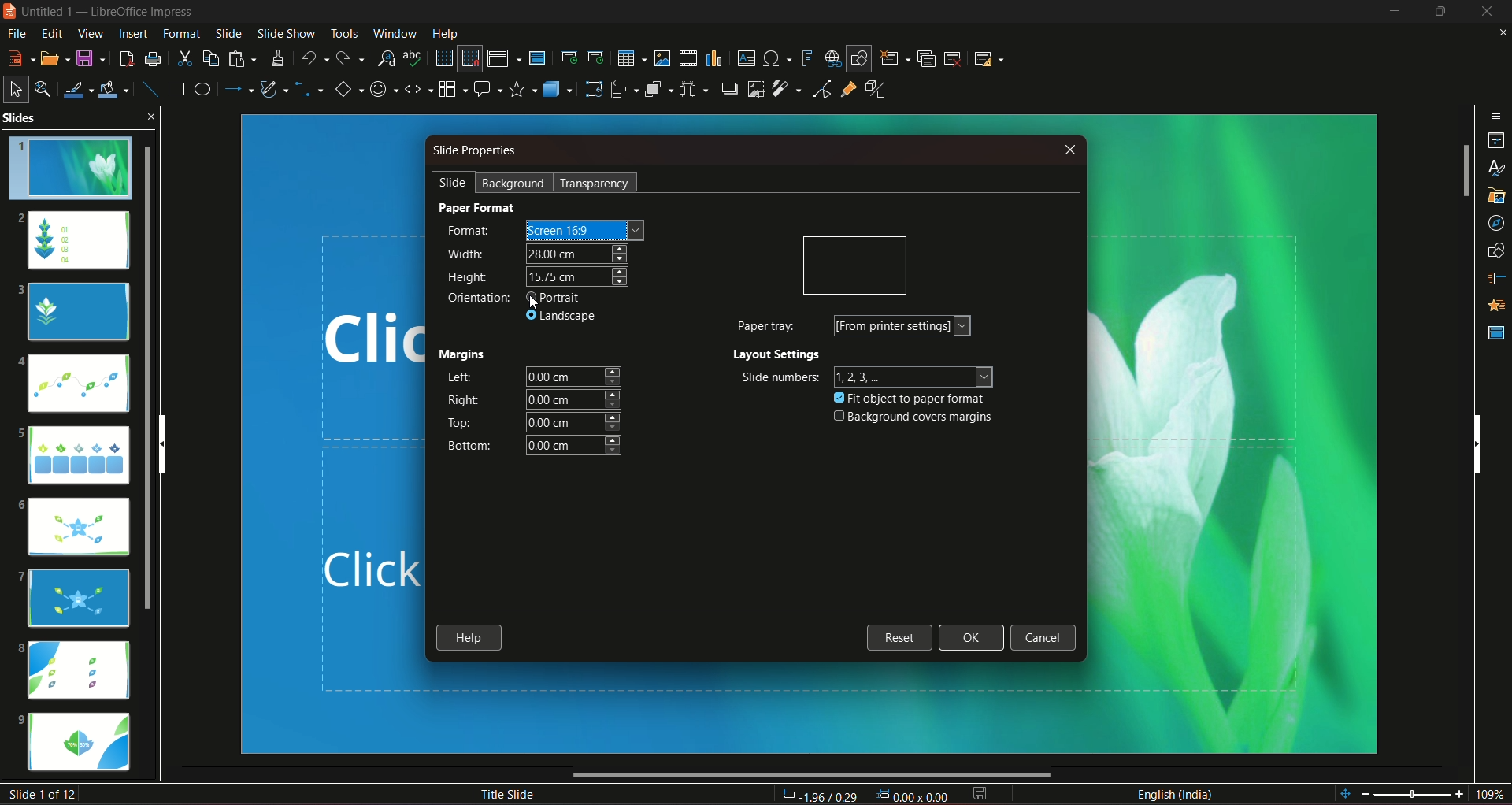 Image resolution: width=1512 pixels, height=805 pixels. Describe the element at coordinates (980, 793) in the screenshot. I see `save` at that location.